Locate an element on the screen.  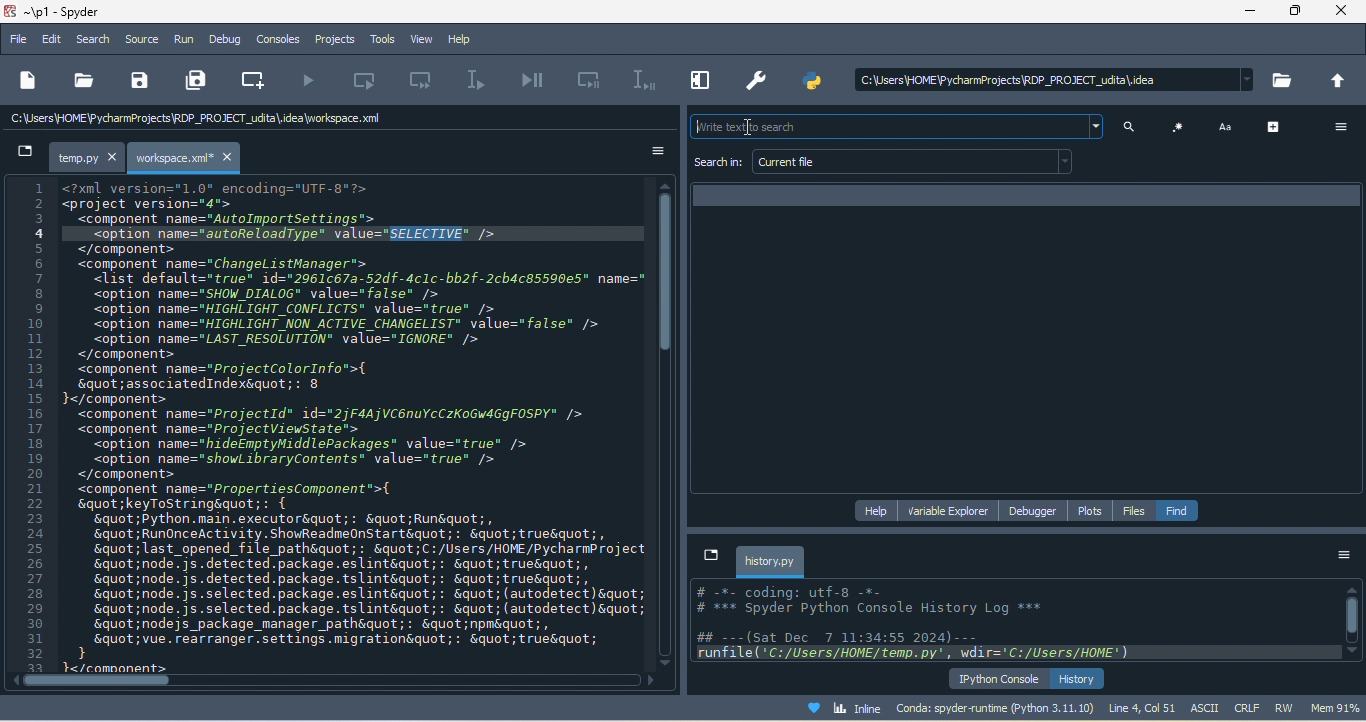
current file is located at coordinates (916, 162).